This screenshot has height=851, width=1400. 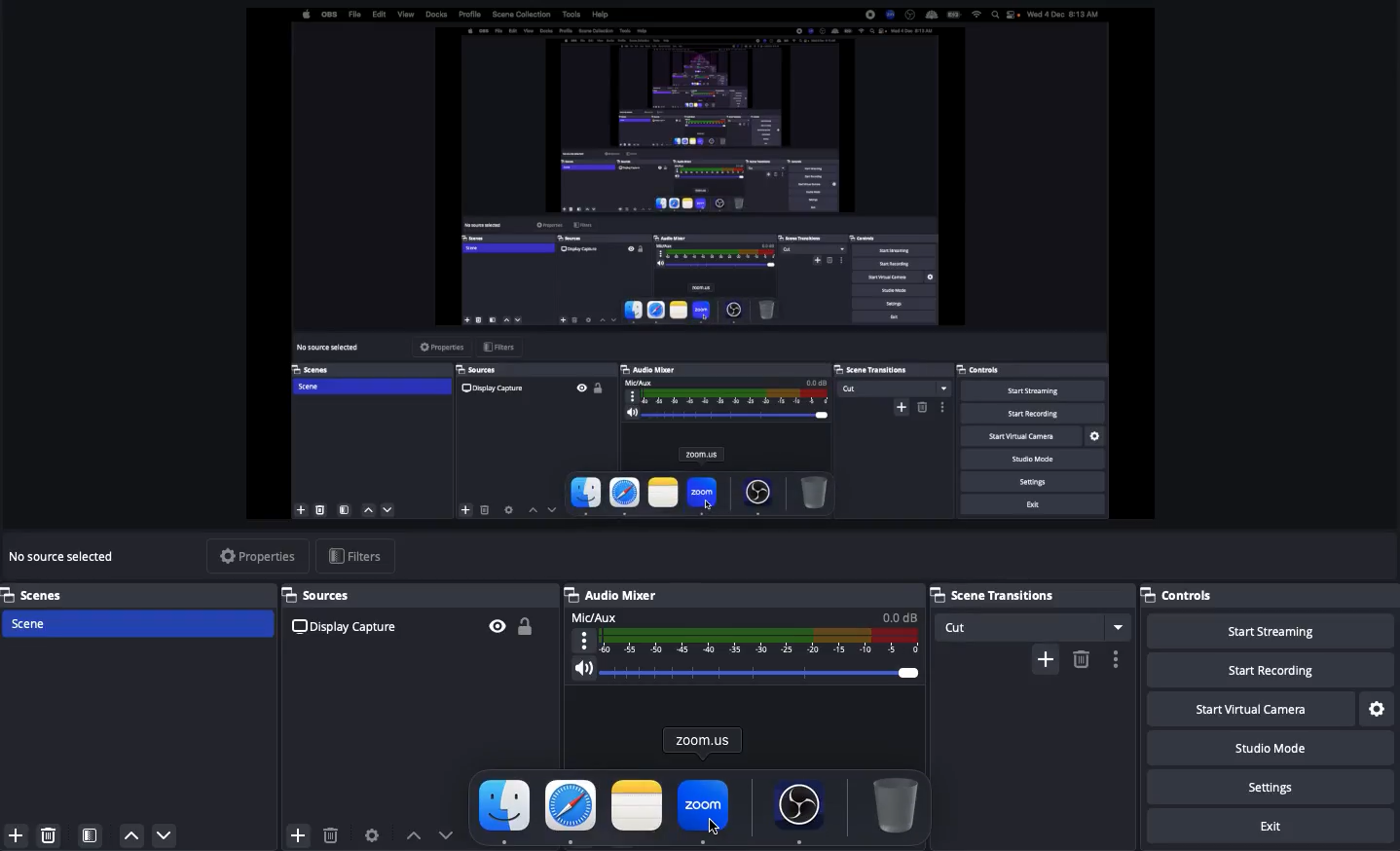 I want to click on Zoom, so click(x=704, y=808).